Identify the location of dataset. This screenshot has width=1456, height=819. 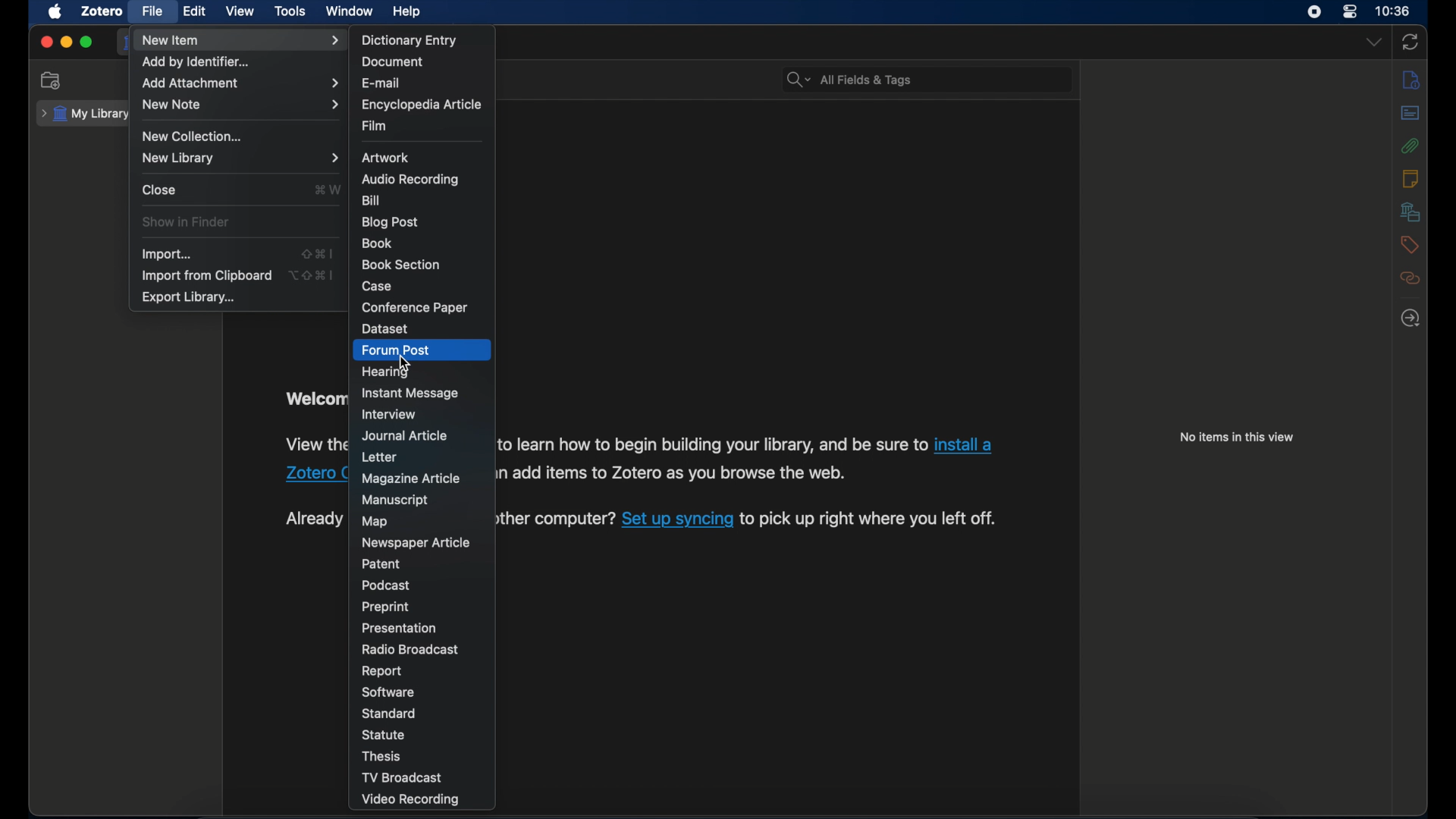
(385, 328).